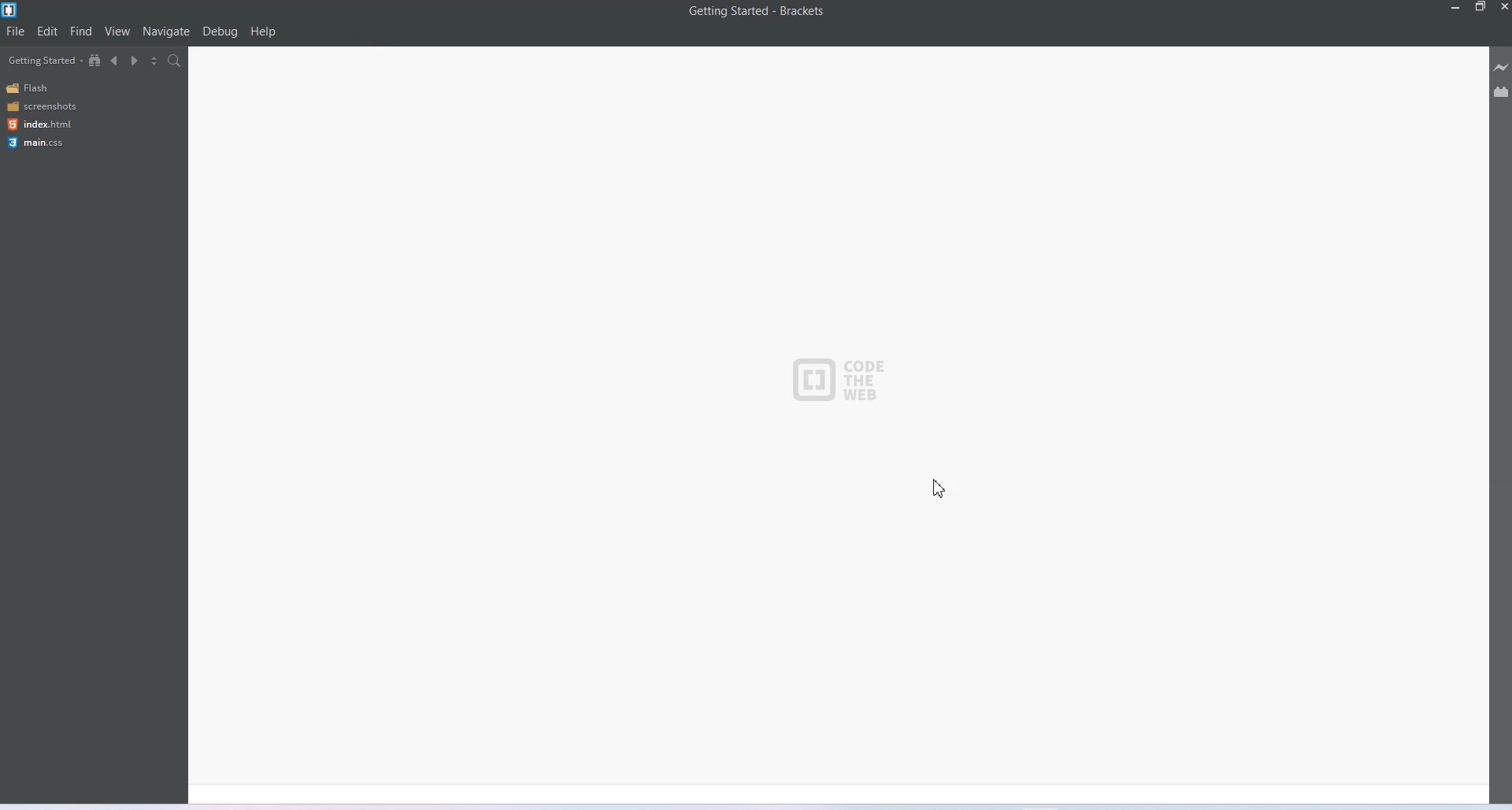  What do you see at coordinates (1454, 8) in the screenshot?
I see `minimize` at bounding box center [1454, 8].